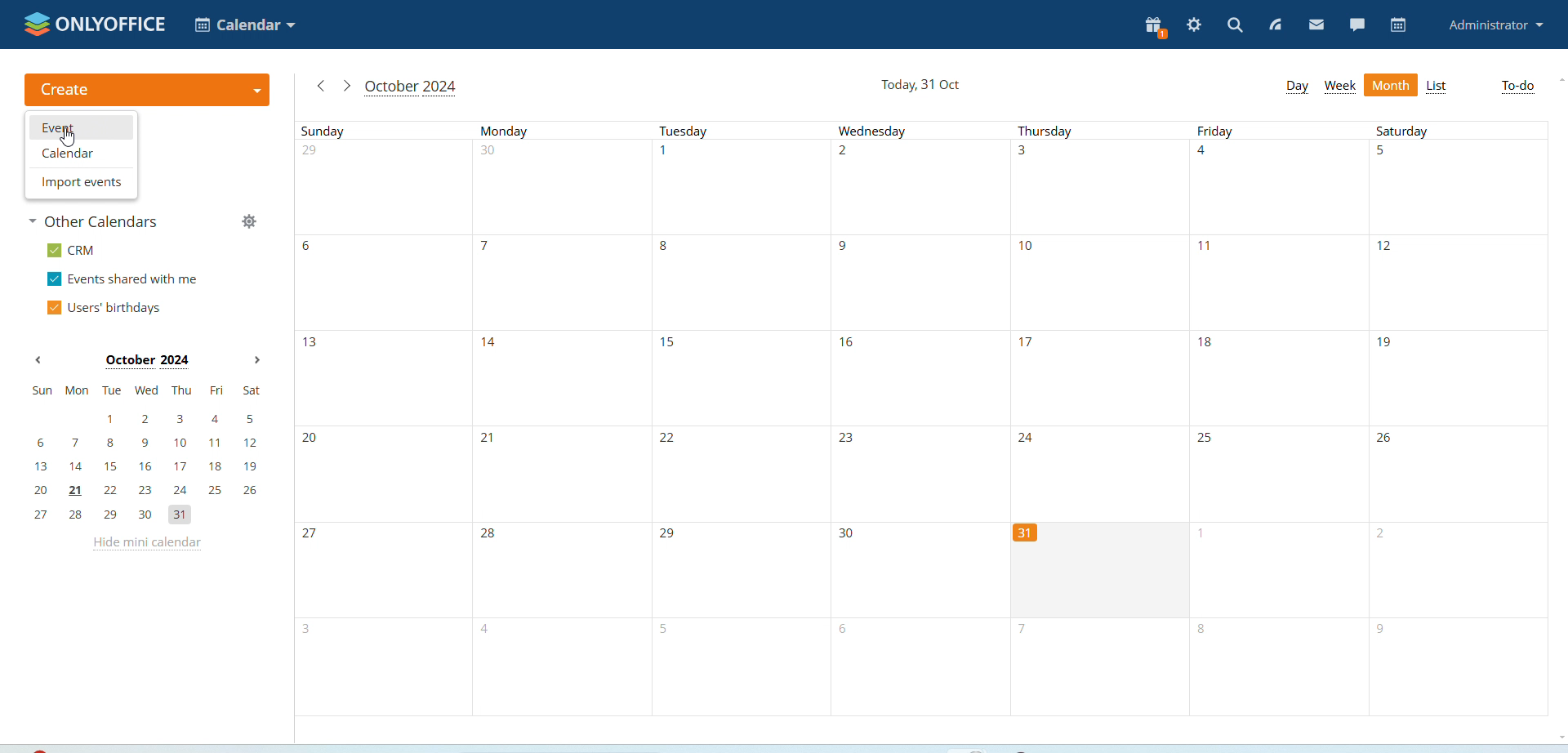 The image size is (1568, 753). Describe the element at coordinates (256, 360) in the screenshot. I see `next month` at that location.